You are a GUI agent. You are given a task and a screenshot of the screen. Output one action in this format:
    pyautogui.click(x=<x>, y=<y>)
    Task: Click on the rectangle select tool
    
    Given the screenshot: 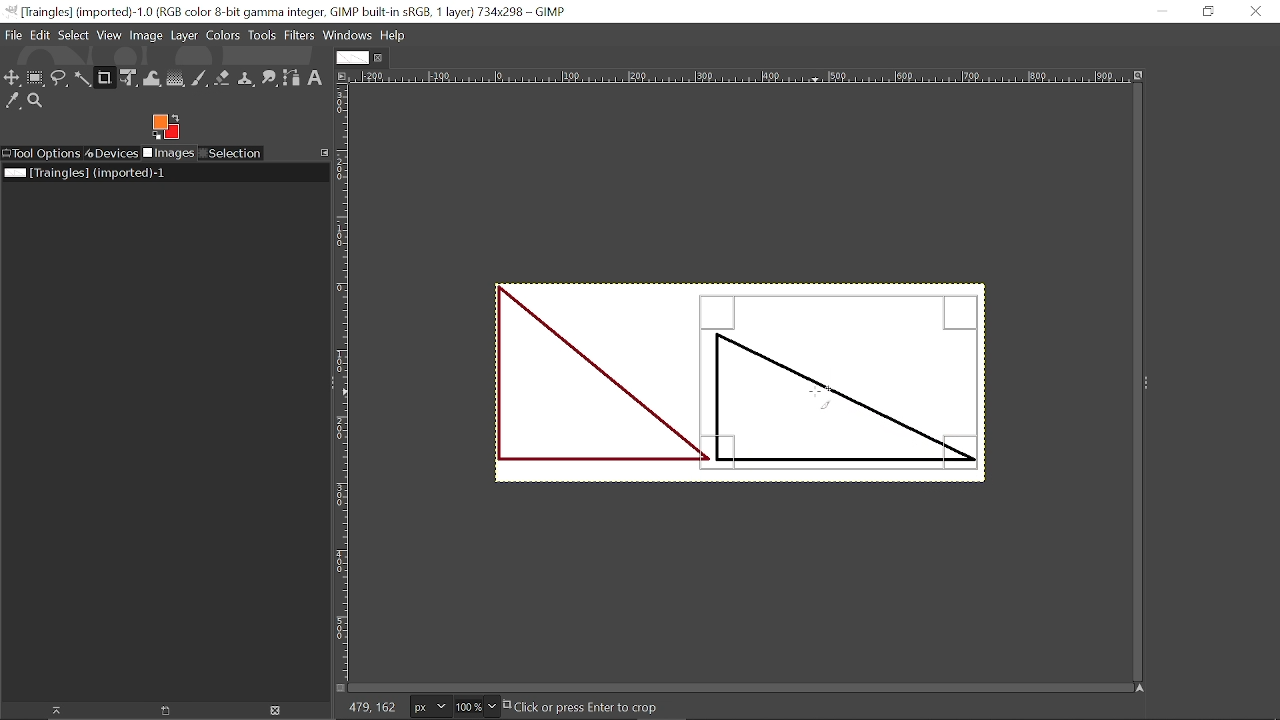 What is the action you would take?
    pyautogui.click(x=37, y=78)
    